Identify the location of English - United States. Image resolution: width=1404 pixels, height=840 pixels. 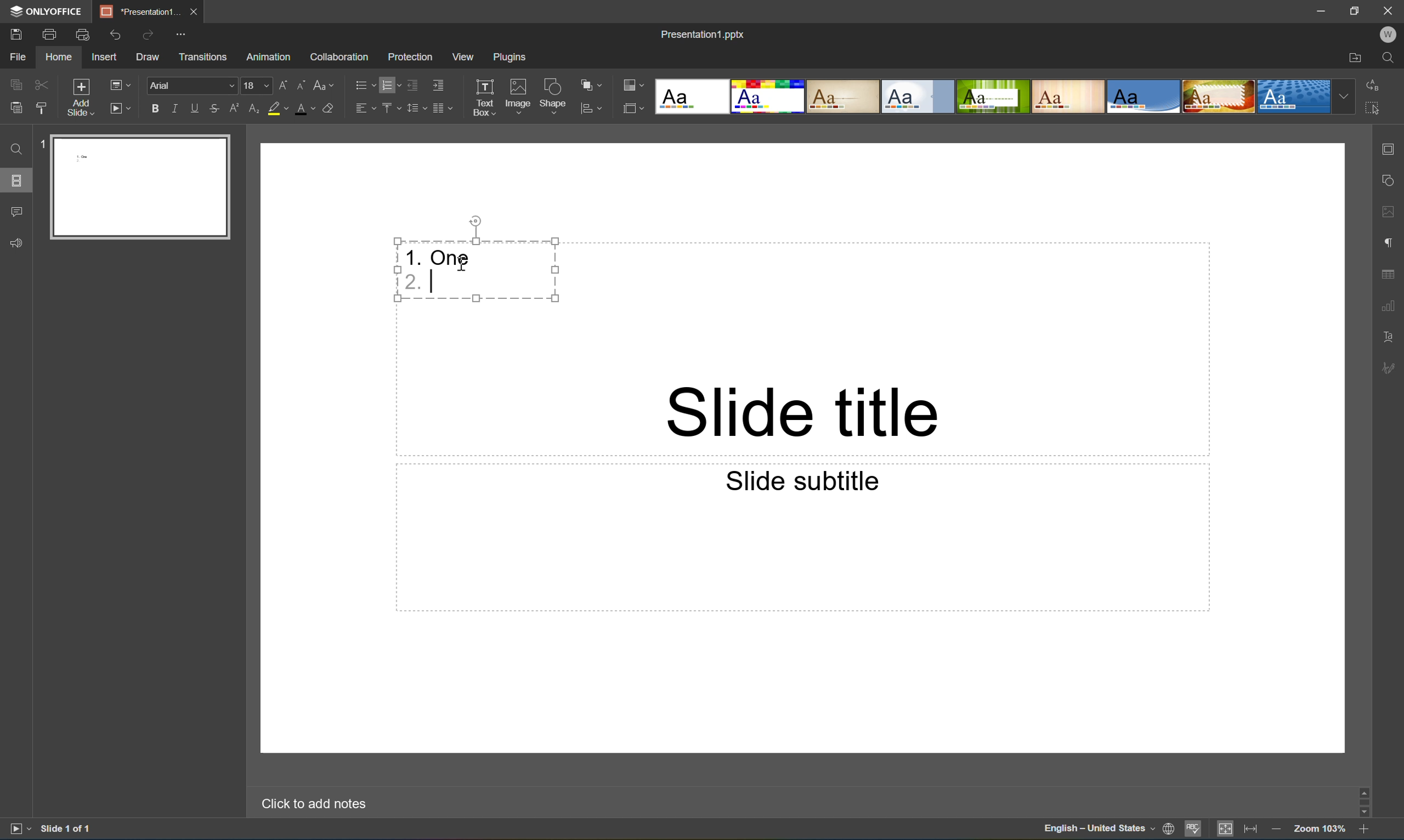
(1098, 832).